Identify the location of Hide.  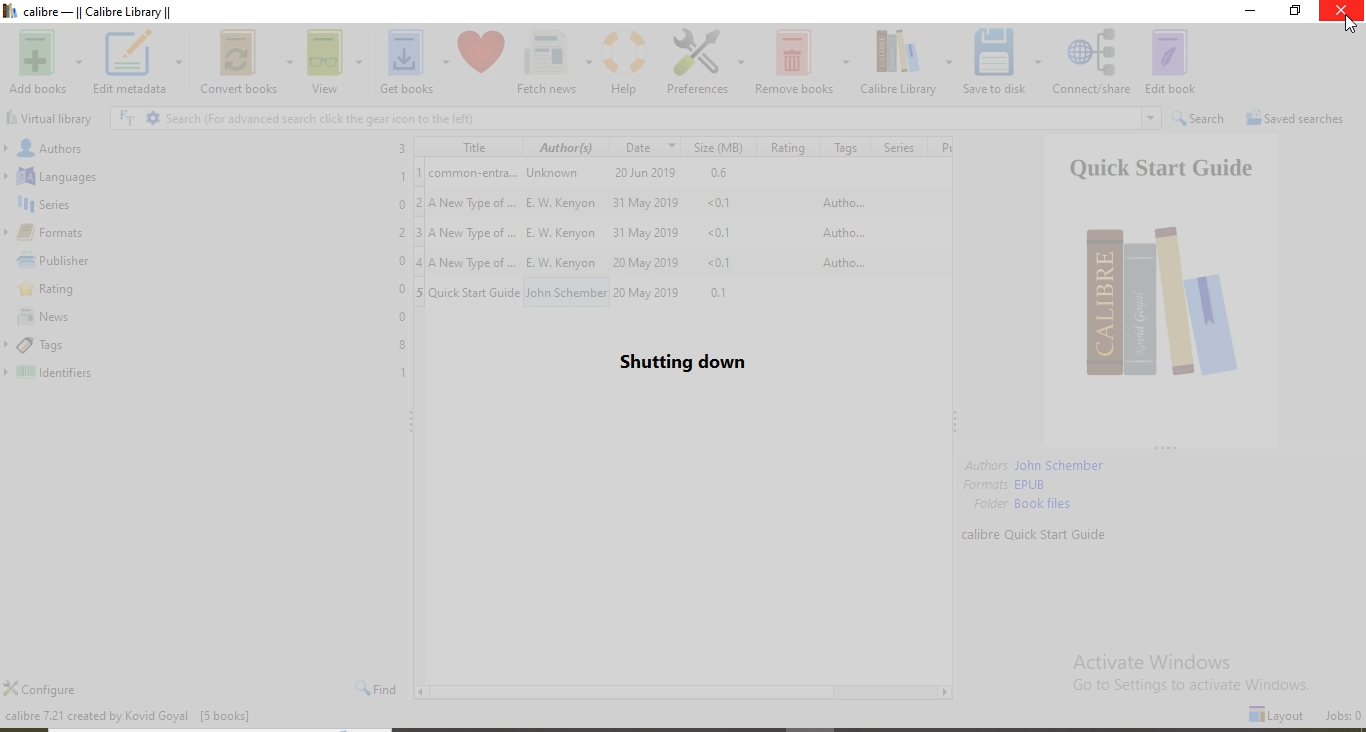
(413, 420).